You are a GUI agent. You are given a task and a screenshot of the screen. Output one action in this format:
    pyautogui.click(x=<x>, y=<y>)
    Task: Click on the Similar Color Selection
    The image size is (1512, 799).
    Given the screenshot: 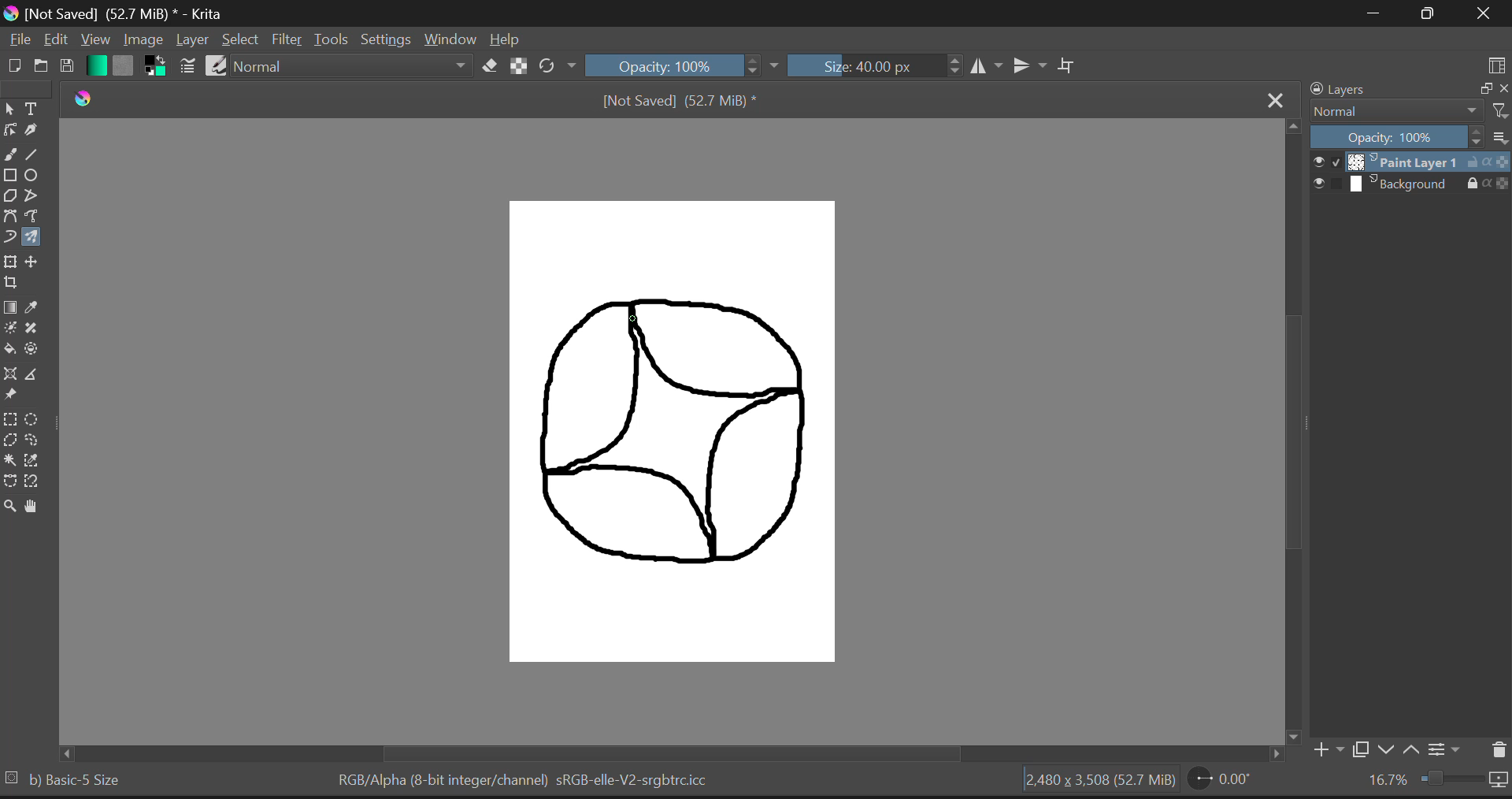 What is the action you would take?
    pyautogui.click(x=39, y=463)
    